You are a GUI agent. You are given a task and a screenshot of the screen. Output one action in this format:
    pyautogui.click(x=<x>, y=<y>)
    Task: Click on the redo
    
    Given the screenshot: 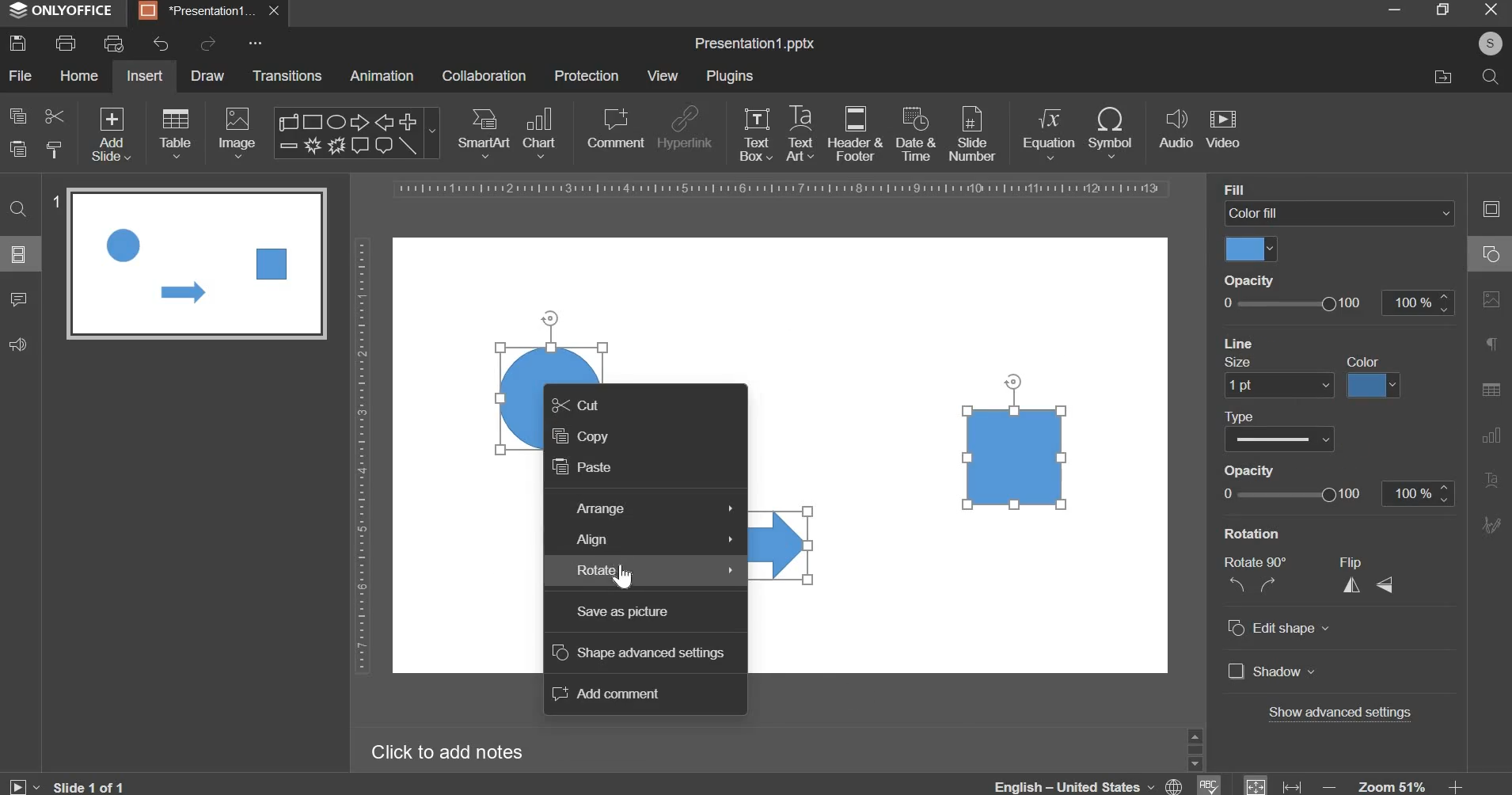 What is the action you would take?
    pyautogui.click(x=206, y=44)
    